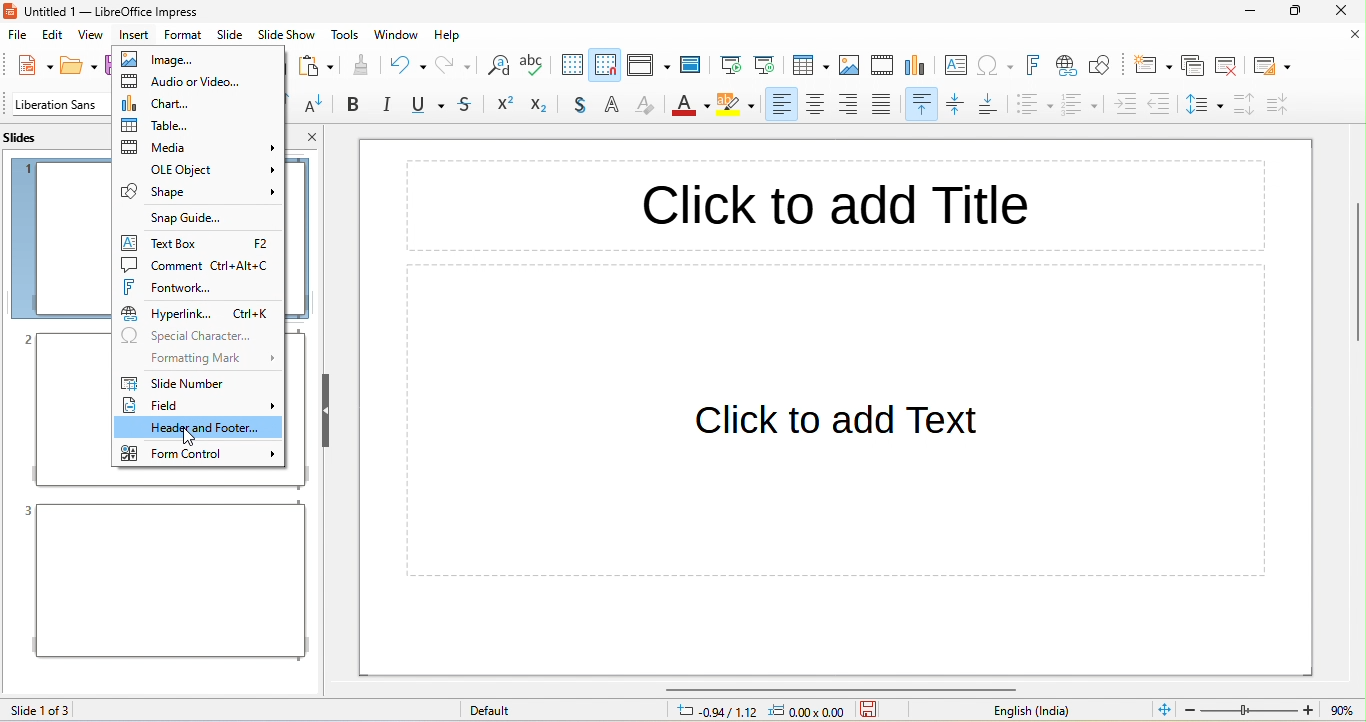 The image size is (1366, 722). Describe the element at coordinates (353, 105) in the screenshot. I see `bold` at that location.